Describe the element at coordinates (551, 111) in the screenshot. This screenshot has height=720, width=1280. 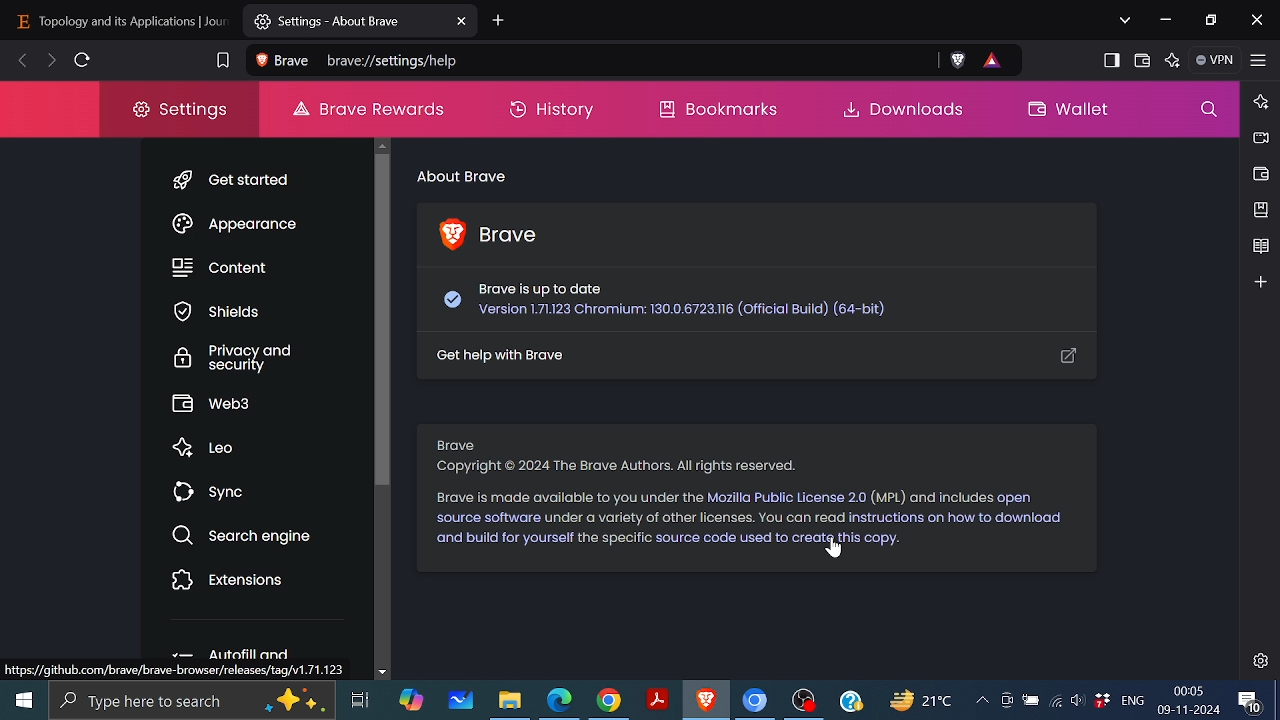
I see `History` at that location.